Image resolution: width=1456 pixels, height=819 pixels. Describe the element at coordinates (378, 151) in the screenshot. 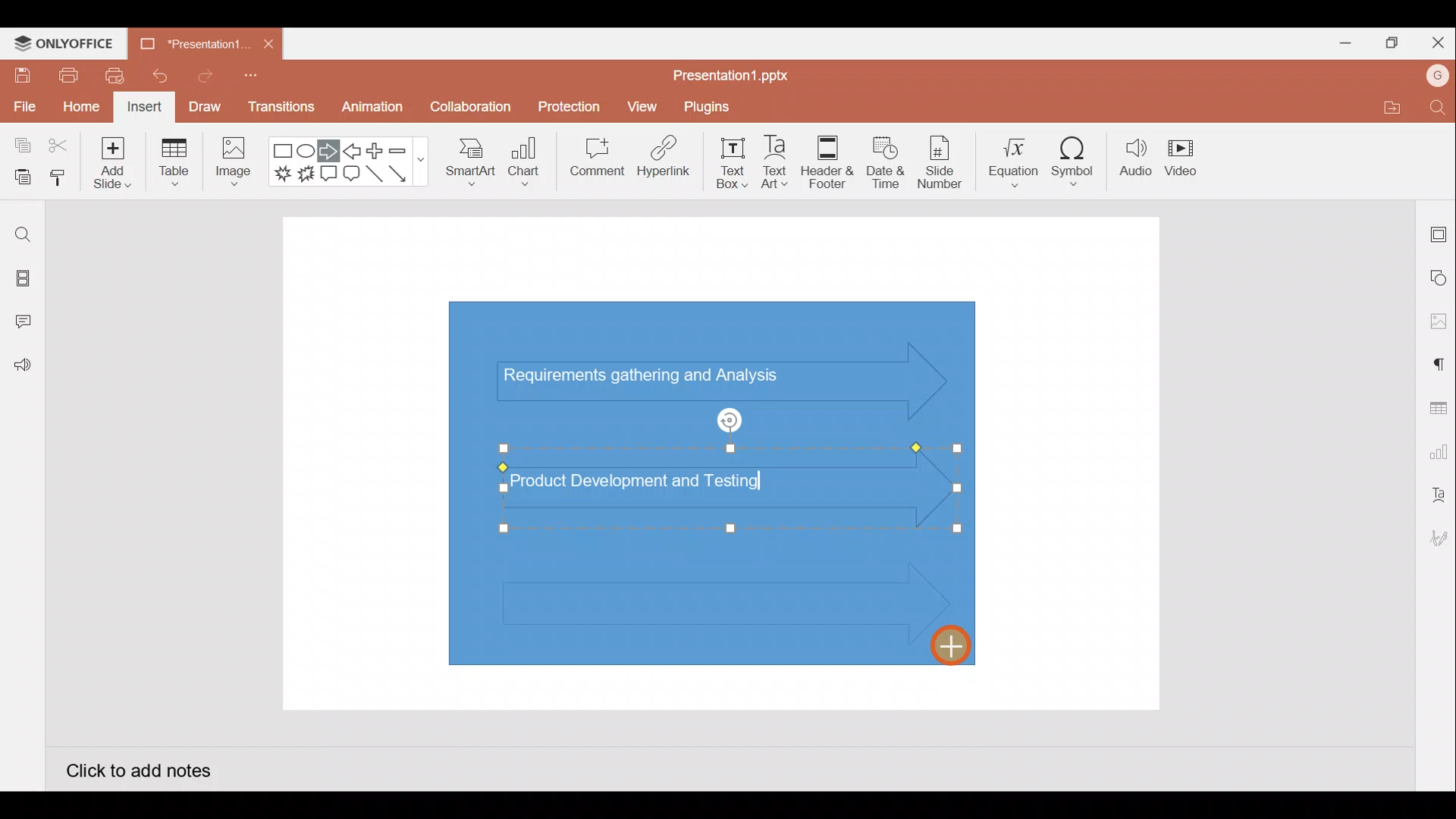

I see `Plus` at that location.